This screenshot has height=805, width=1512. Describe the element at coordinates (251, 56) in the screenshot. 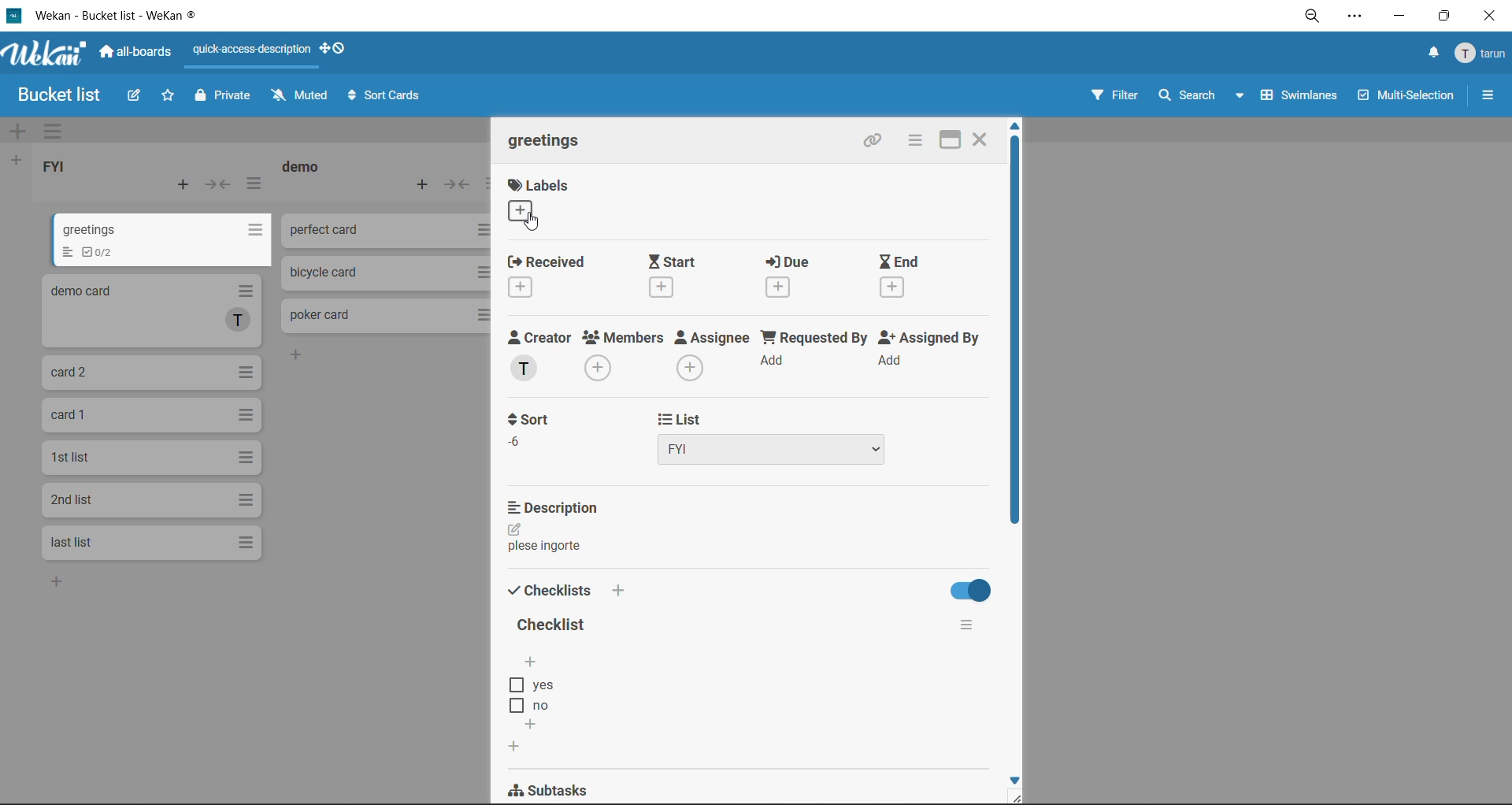

I see `quick access description` at that location.